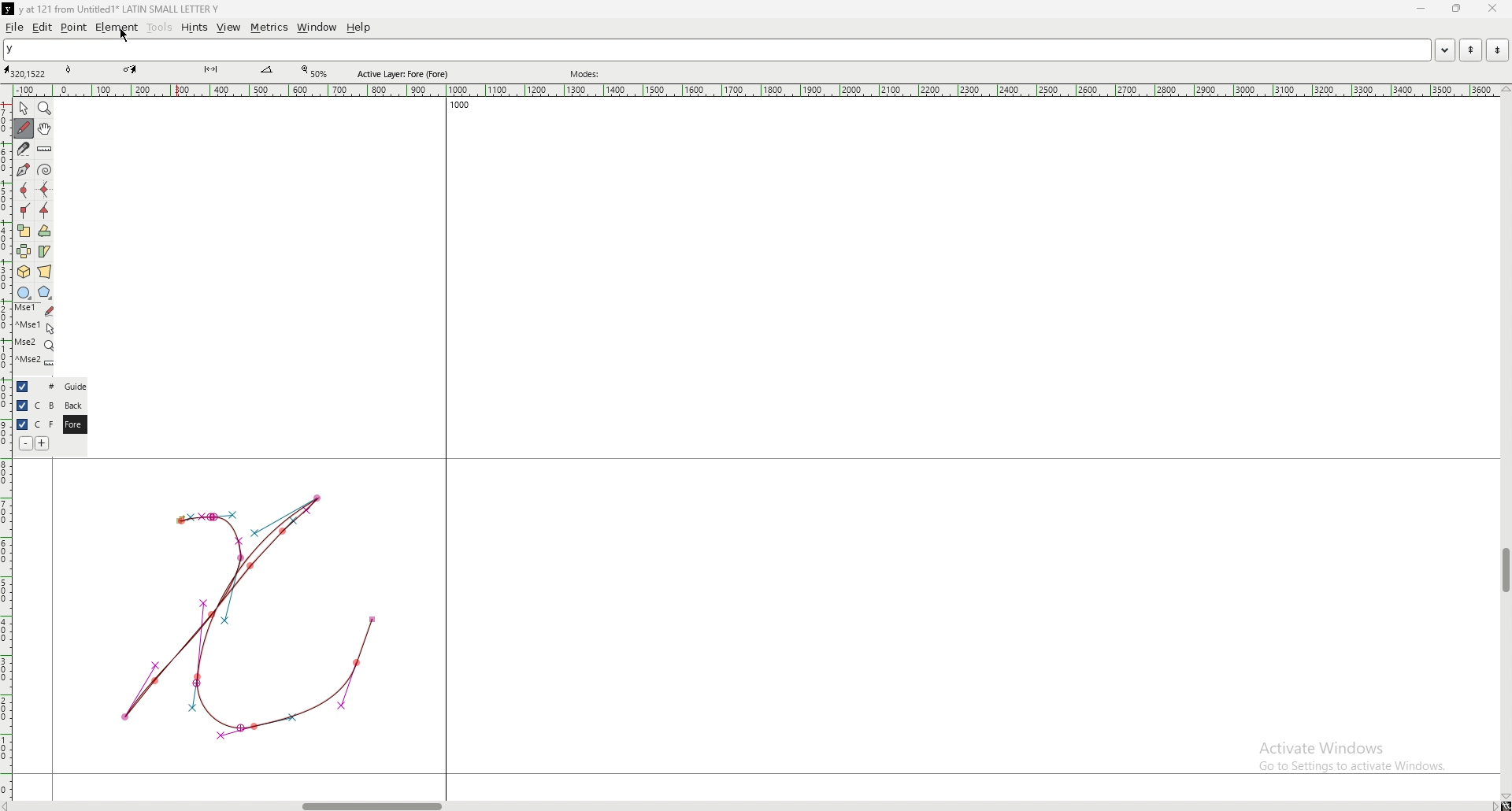  Describe the element at coordinates (248, 615) in the screenshot. I see `graph` at that location.